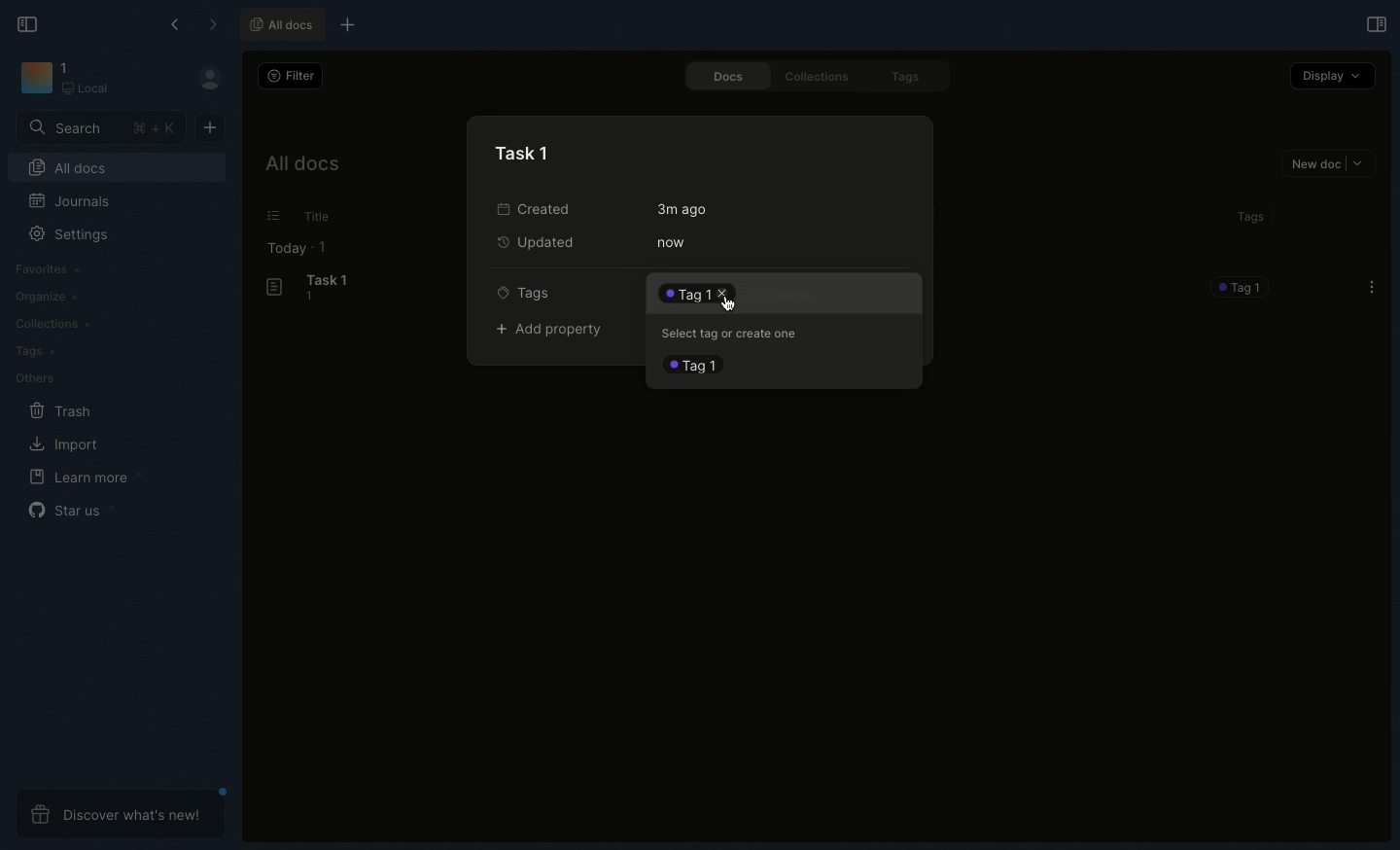 The image size is (1400, 850). Describe the element at coordinates (685, 209) in the screenshot. I see `3m ago` at that location.